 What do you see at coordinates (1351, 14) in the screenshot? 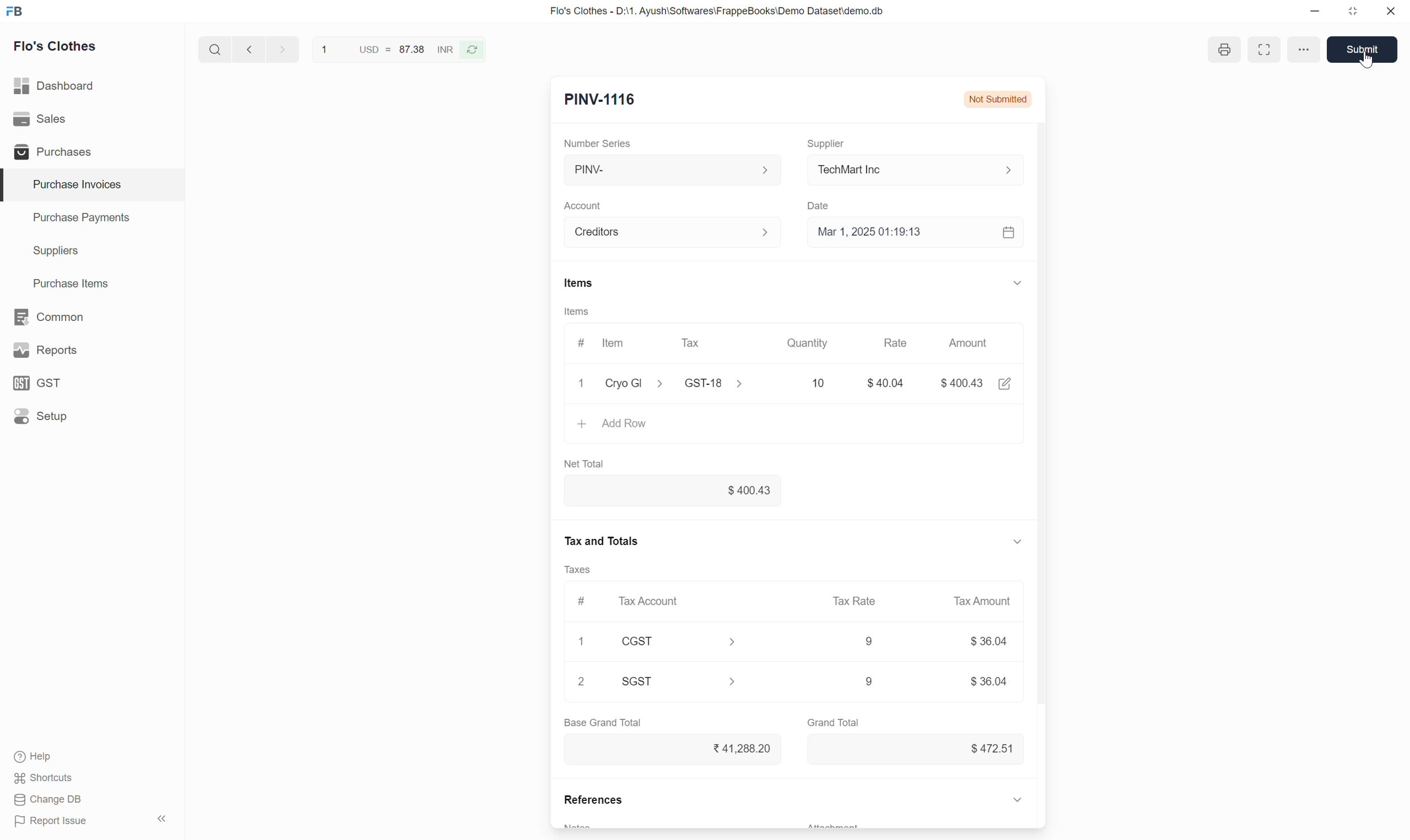
I see `restore down` at bounding box center [1351, 14].